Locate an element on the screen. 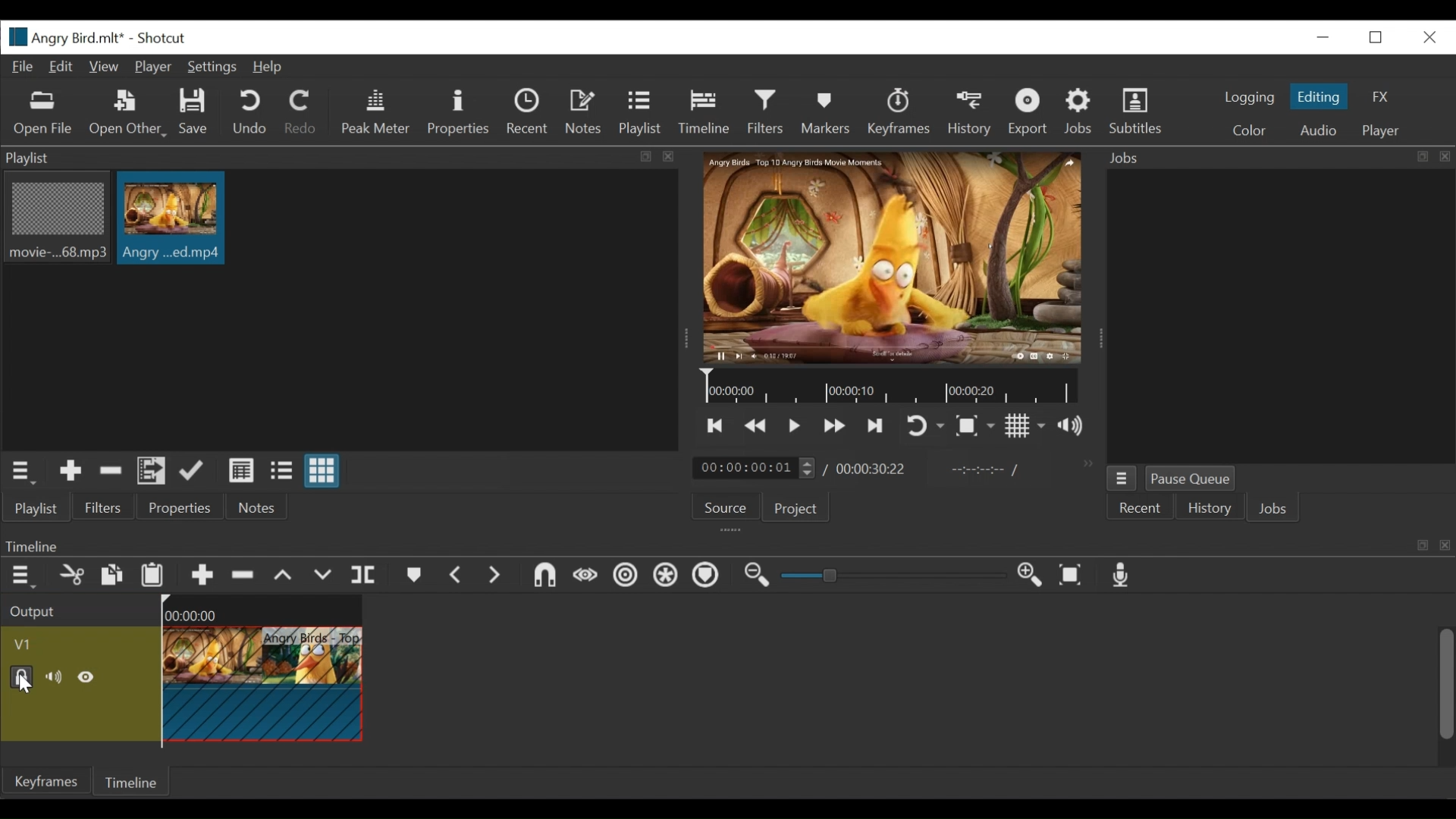 This screenshot has width=1456, height=819. Ripple Delete is located at coordinates (243, 576).